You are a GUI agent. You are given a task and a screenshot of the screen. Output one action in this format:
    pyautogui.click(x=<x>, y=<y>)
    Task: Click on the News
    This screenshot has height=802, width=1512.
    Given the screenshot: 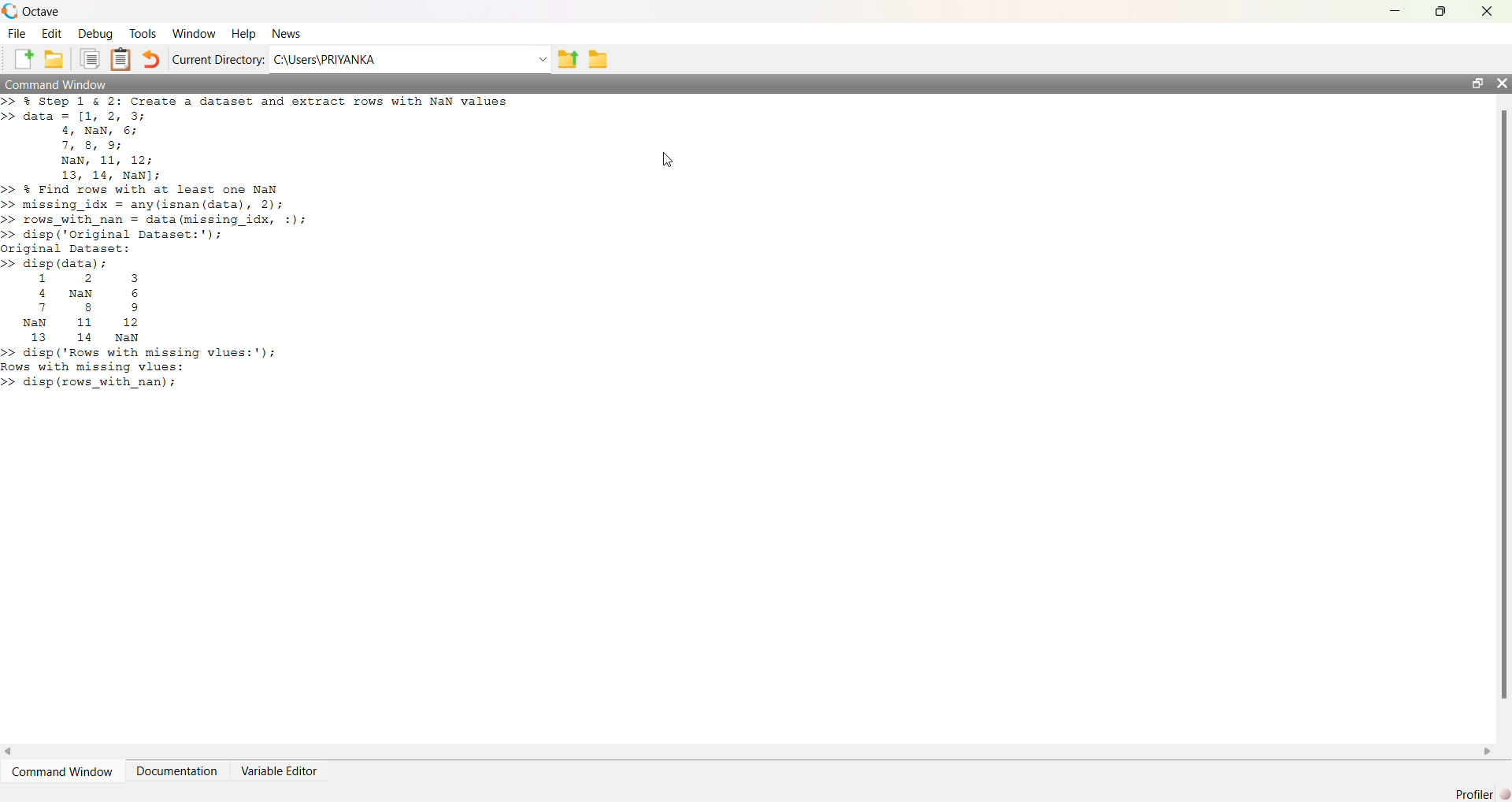 What is the action you would take?
    pyautogui.click(x=288, y=33)
    